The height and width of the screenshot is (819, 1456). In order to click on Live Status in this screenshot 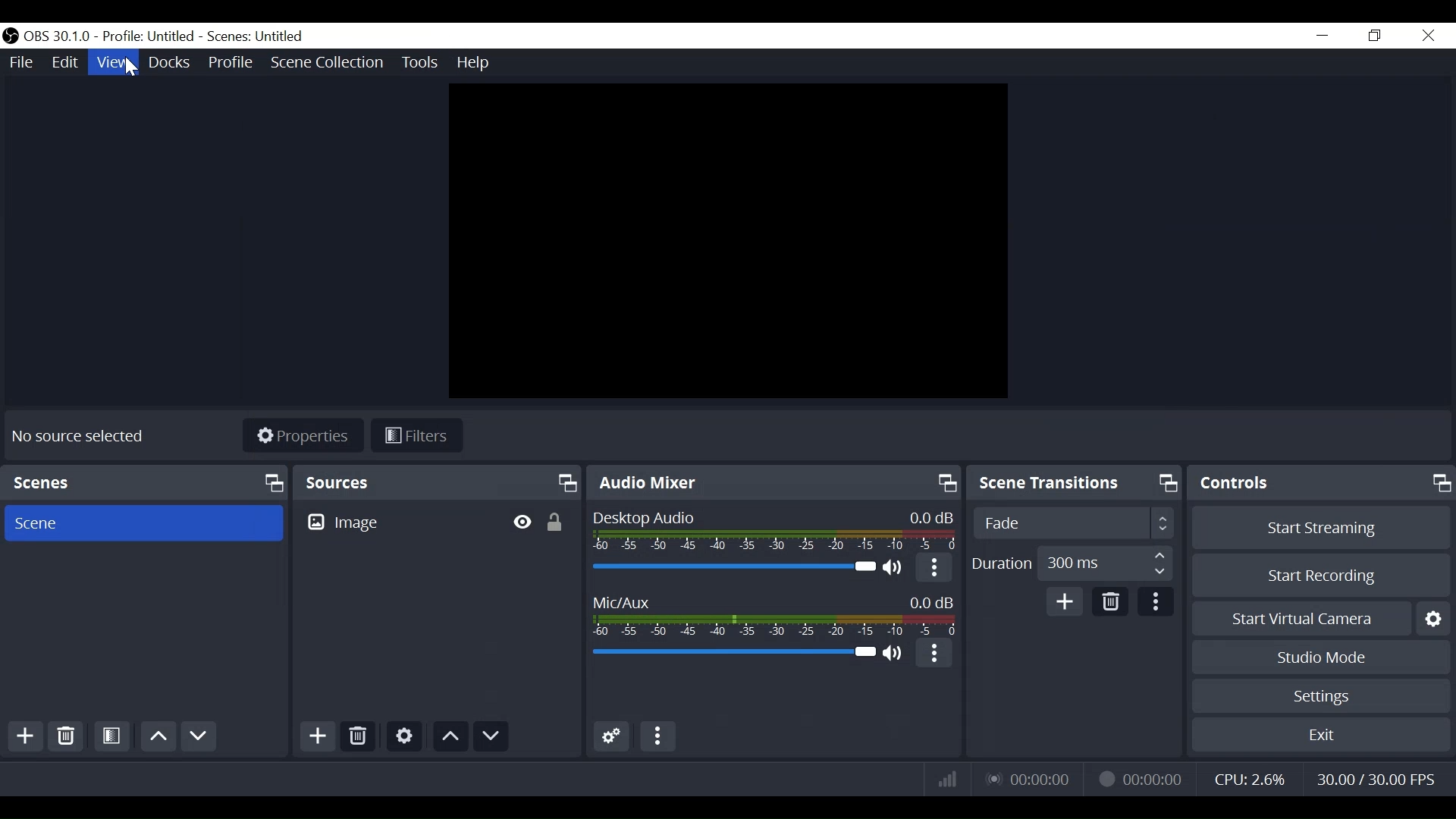, I will do `click(1031, 777)`.